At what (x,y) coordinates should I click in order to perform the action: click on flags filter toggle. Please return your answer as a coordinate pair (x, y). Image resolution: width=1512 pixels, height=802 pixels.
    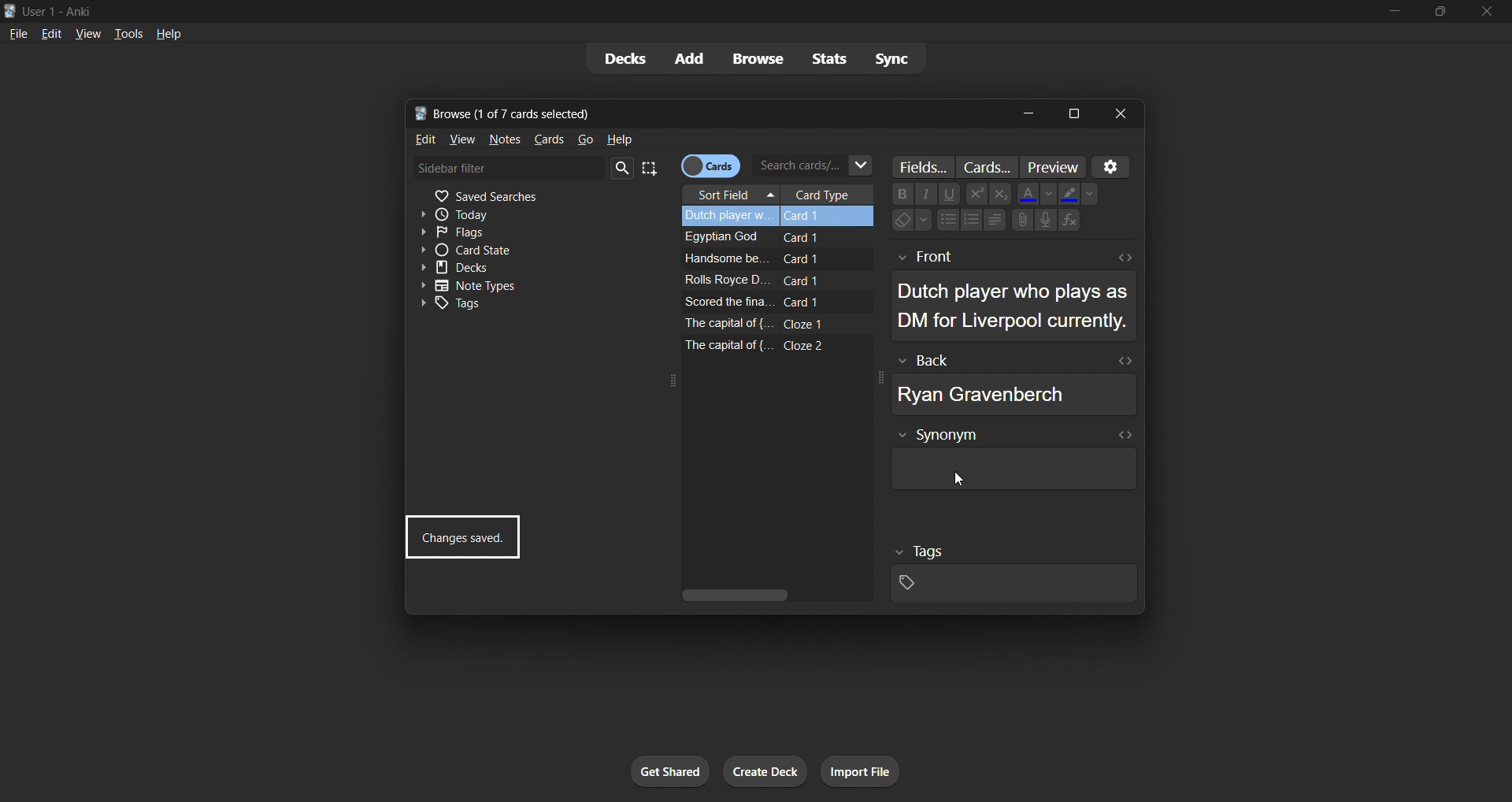
    Looking at the image, I should click on (502, 232).